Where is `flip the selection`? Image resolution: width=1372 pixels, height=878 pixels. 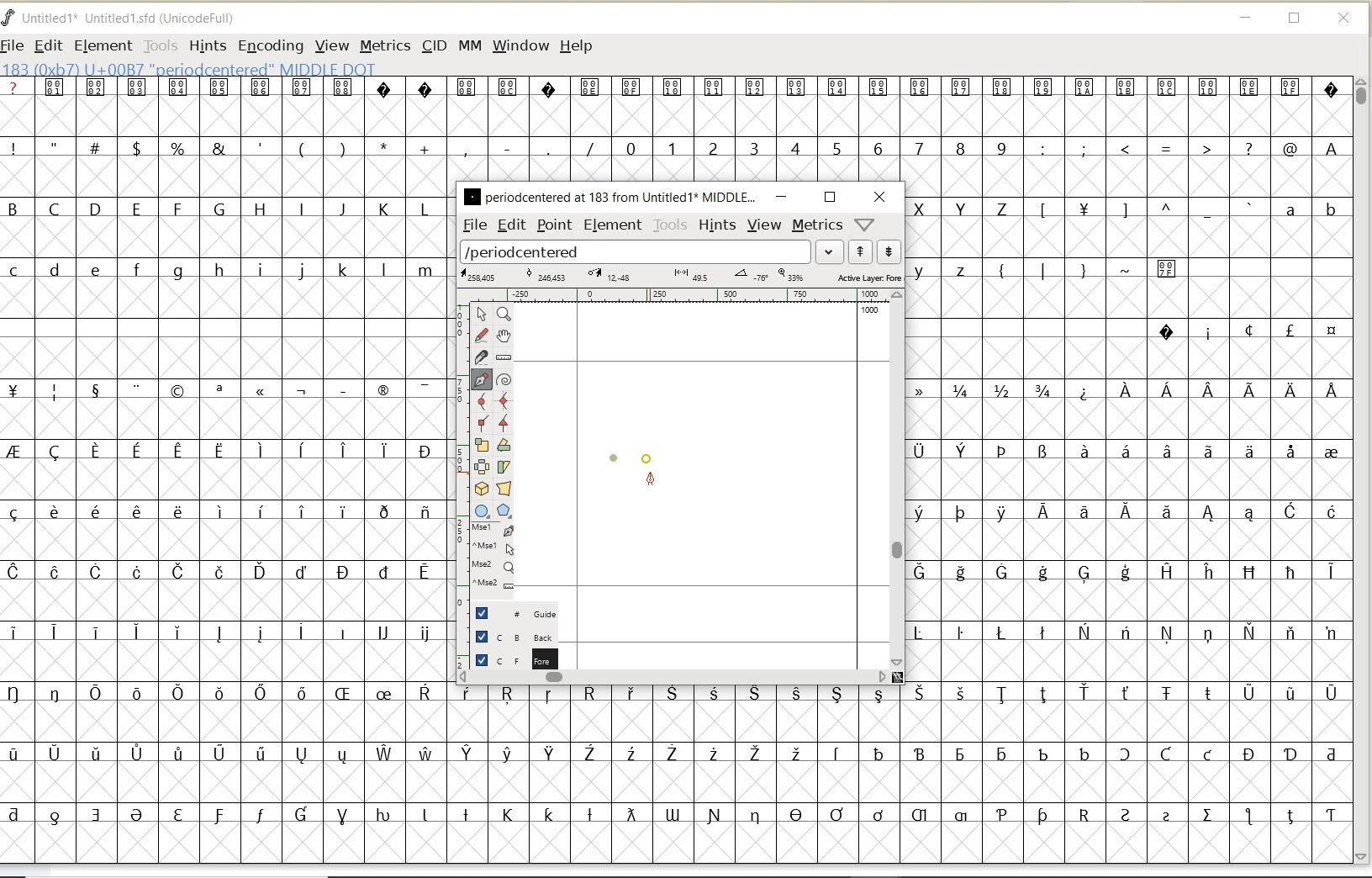 flip the selection is located at coordinates (483, 467).